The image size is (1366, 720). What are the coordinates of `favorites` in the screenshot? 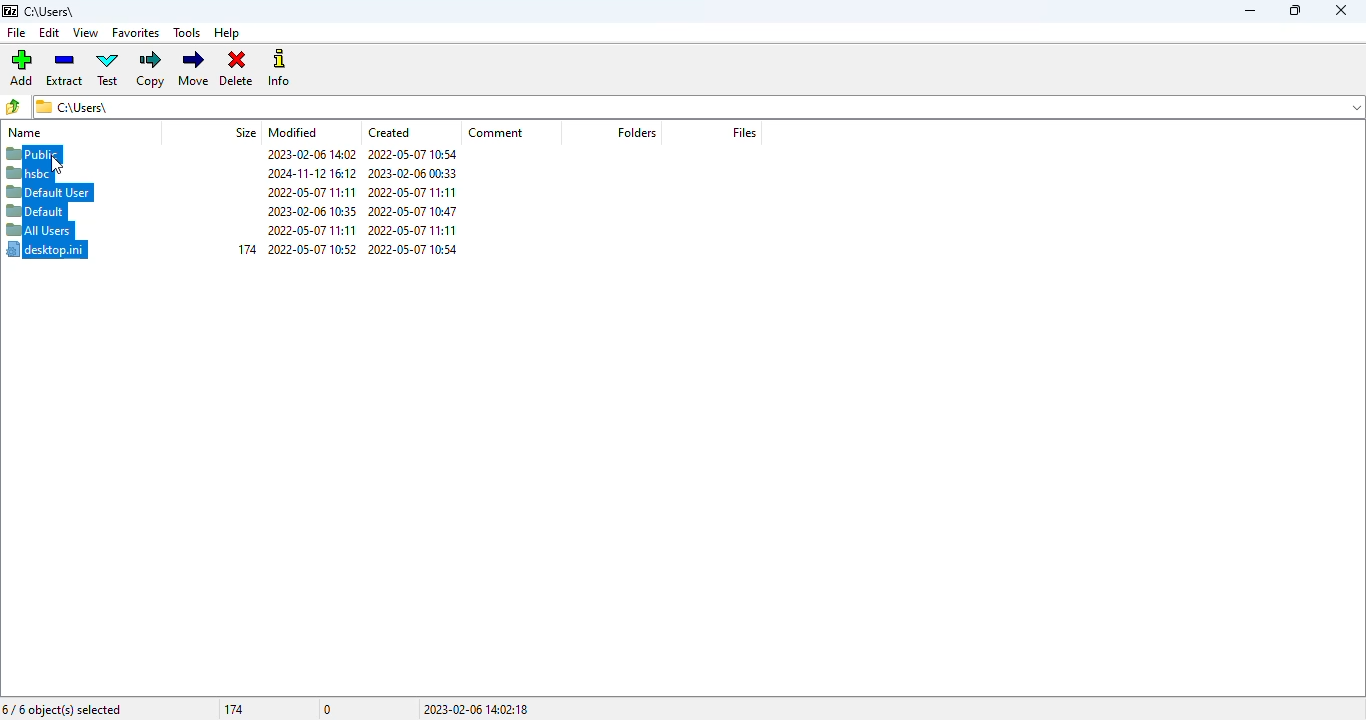 It's located at (136, 34).